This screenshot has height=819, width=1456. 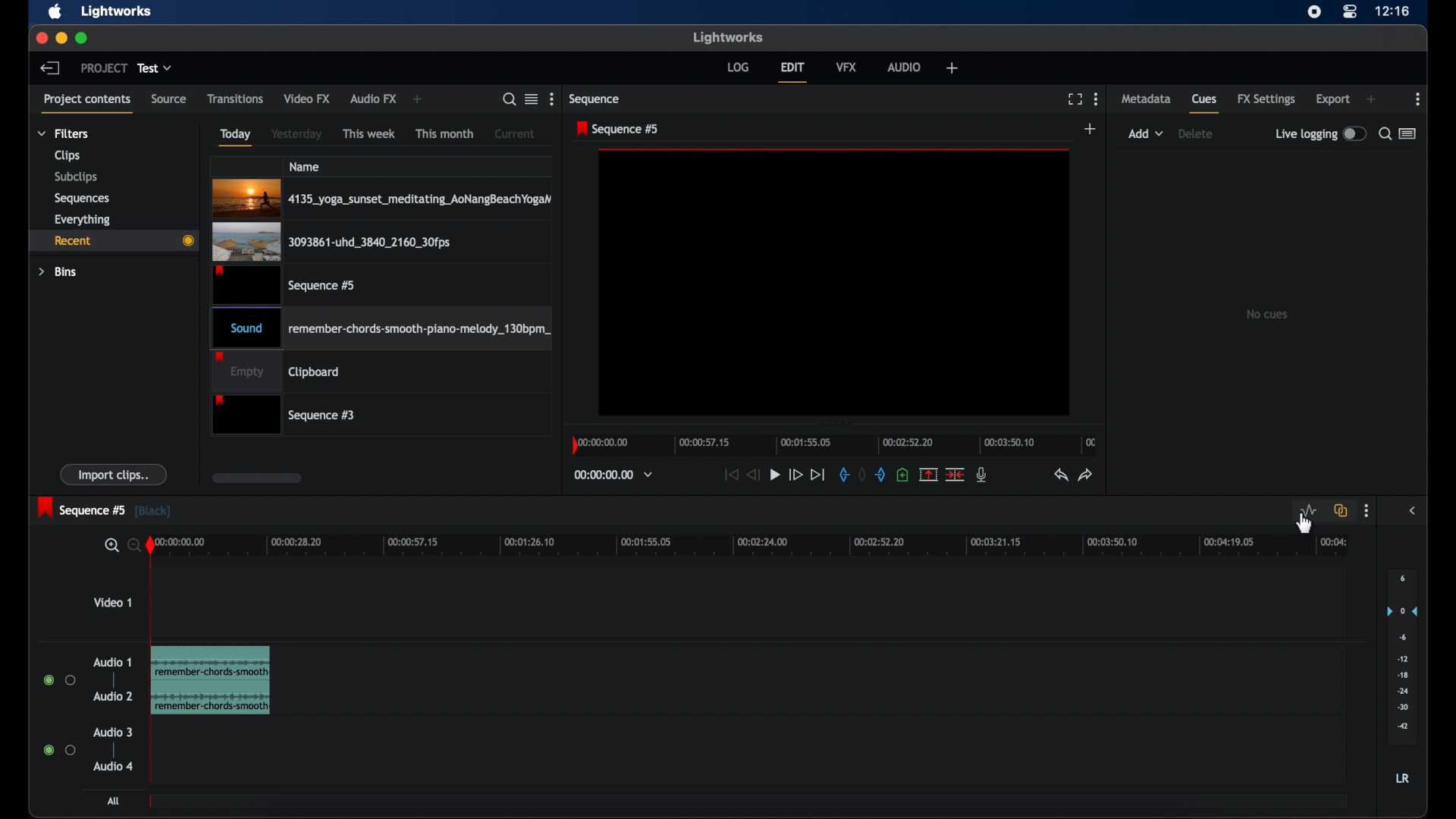 What do you see at coordinates (41, 39) in the screenshot?
I see `close` at bounding box center [41, 39].